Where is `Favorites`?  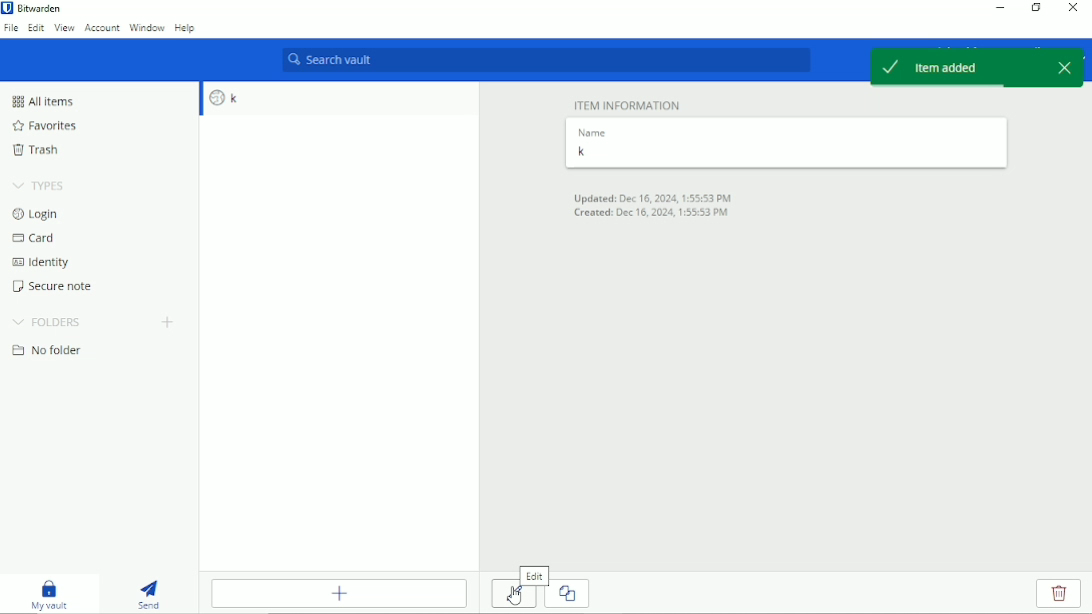
Favorites is located at coordinates (43, 126).